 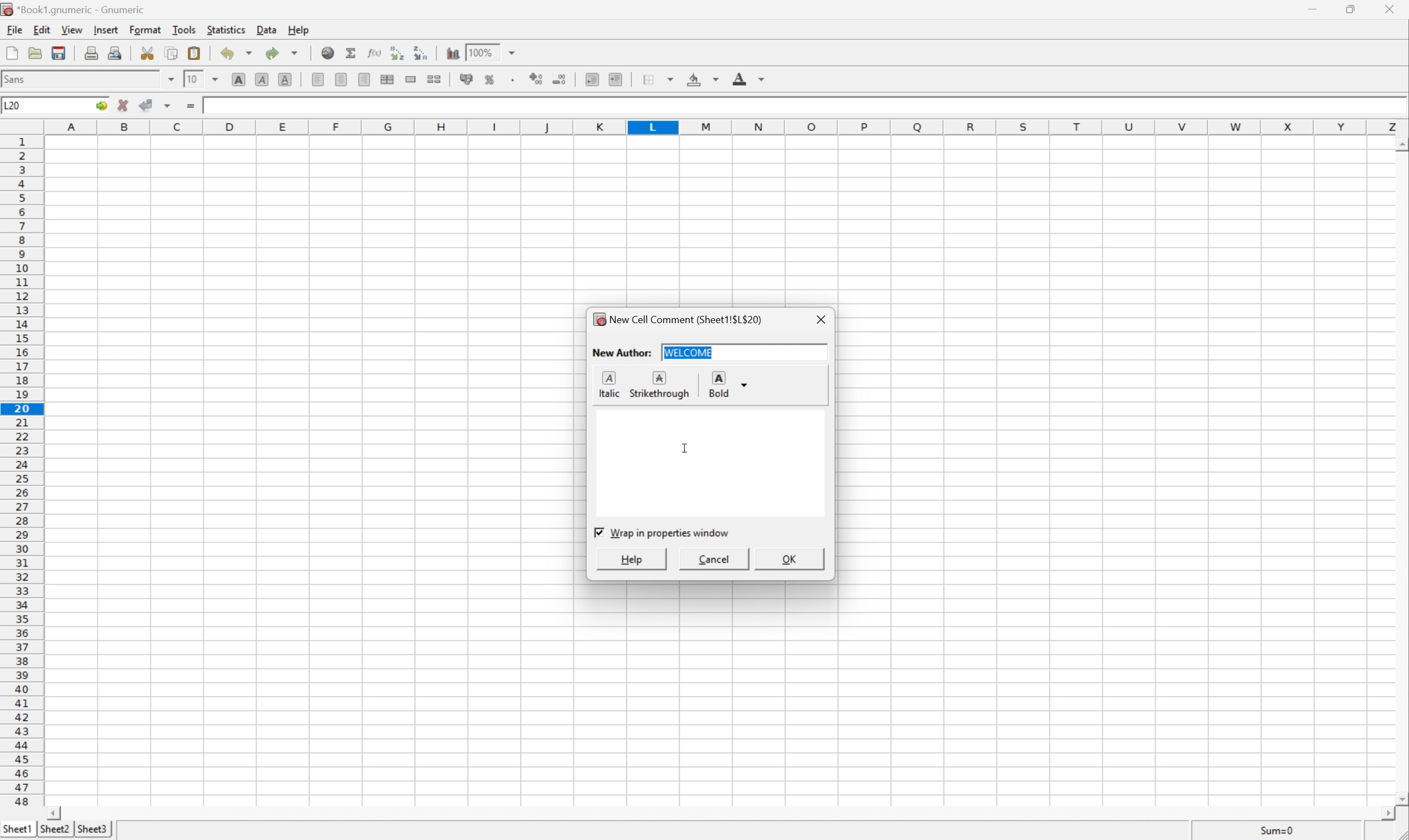 What do you see at coordinates (1400, 144) in the screenshot?
I see `Scroll Up` at bounding box center [1400, 144].